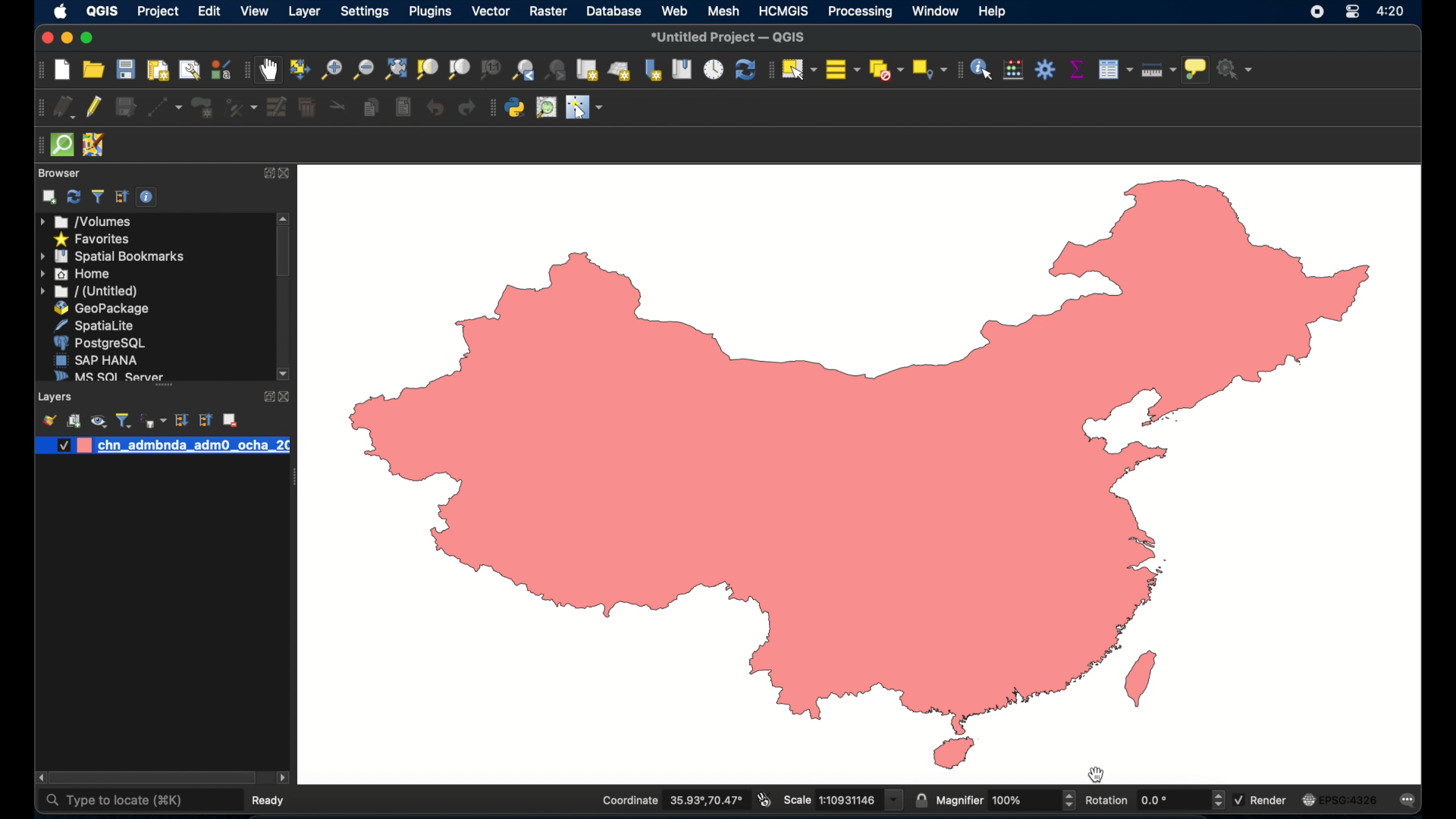 The image size is (1456, 819). Describe the element at coordinates (1069, 800) in the screenshot. I see `increase or decrease magnifier value` at that location.